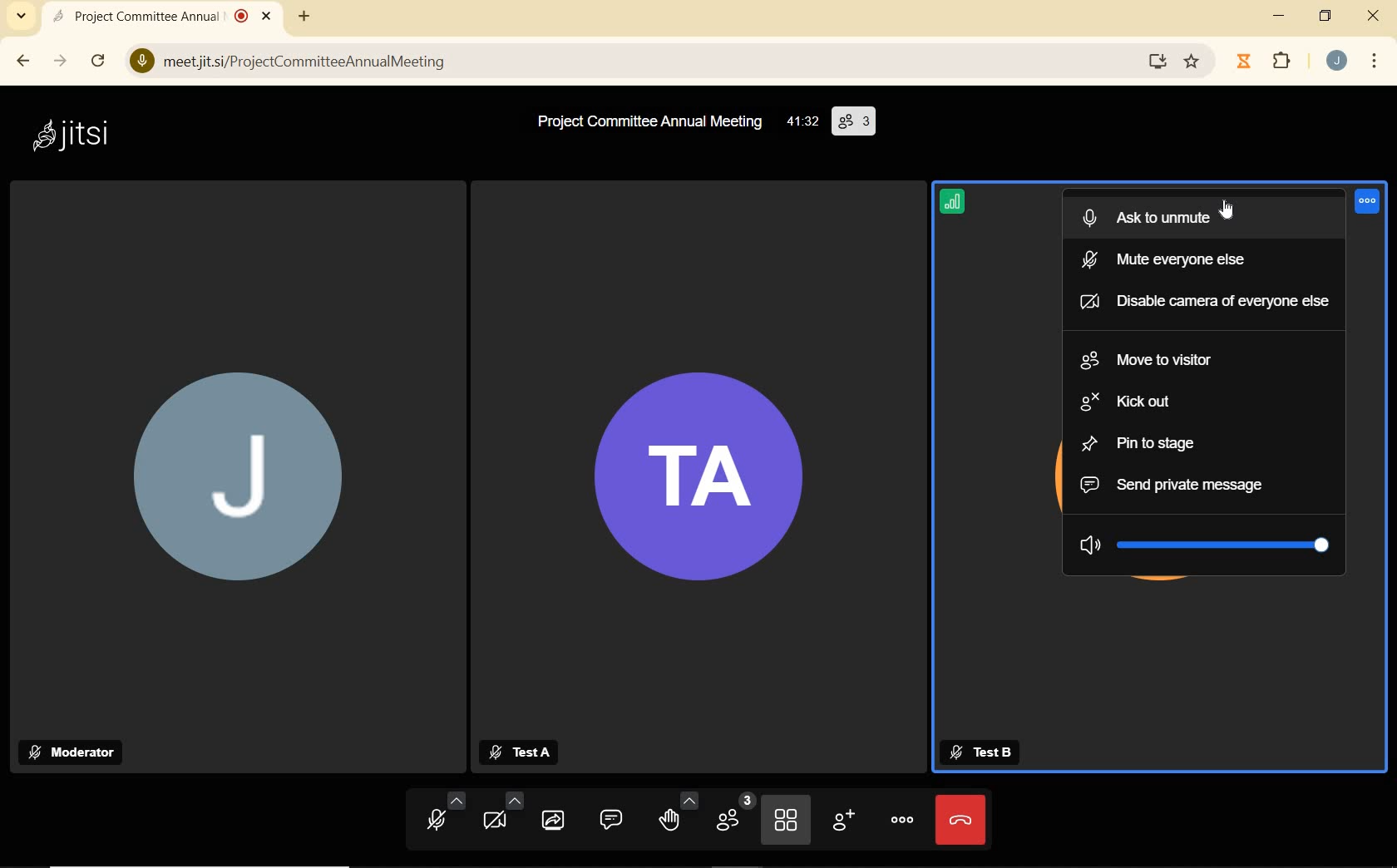 This screenshot has width=1397, height=868. What do you see at coordinates (1375, 62) in the screenshot?
I see `CUSTOMIZE GOOGLE CHROME` at bounding box center [1375, 62].